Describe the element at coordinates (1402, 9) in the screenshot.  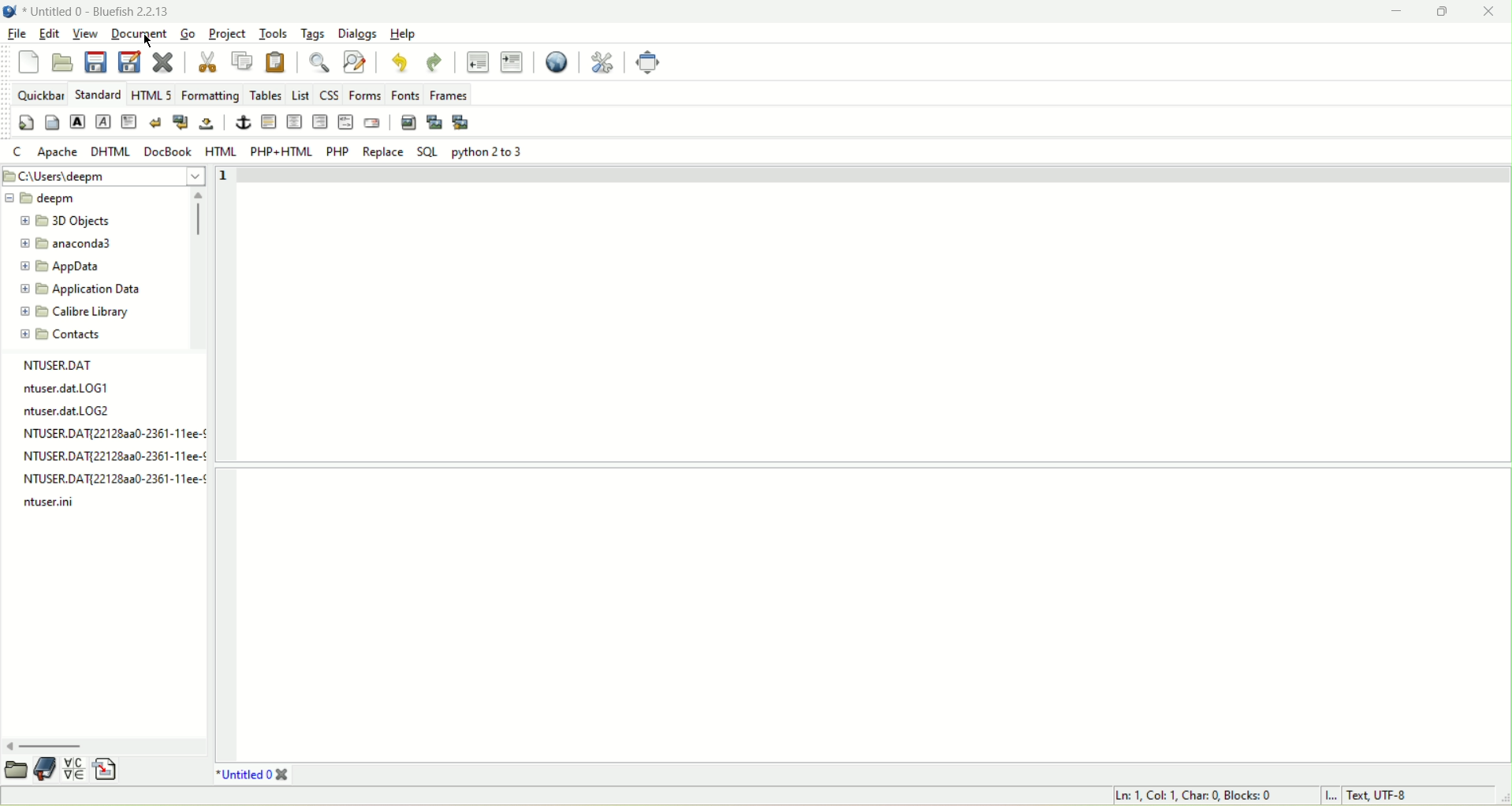
I see `minimize` at that location.